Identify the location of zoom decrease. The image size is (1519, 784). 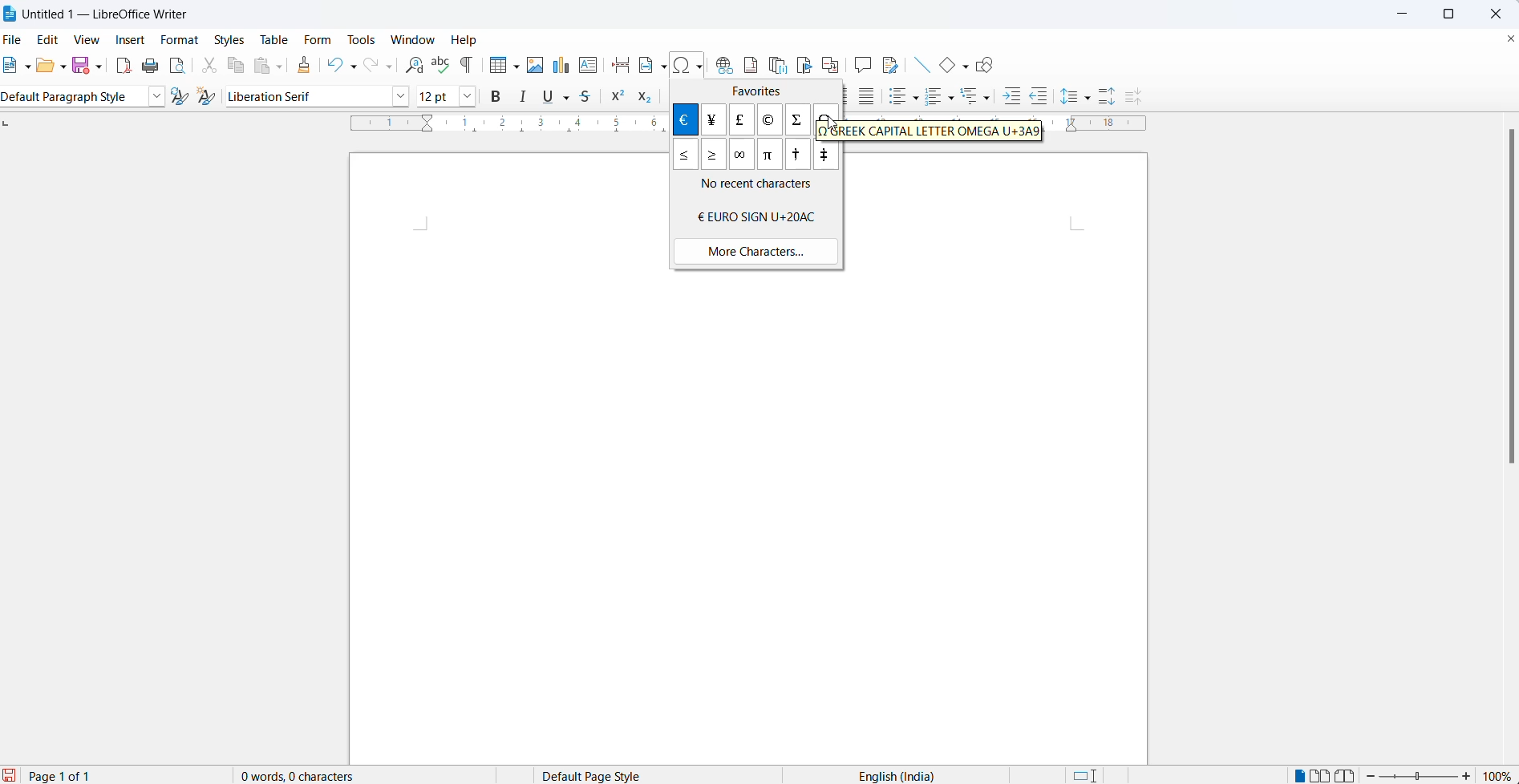
(1371, 774).